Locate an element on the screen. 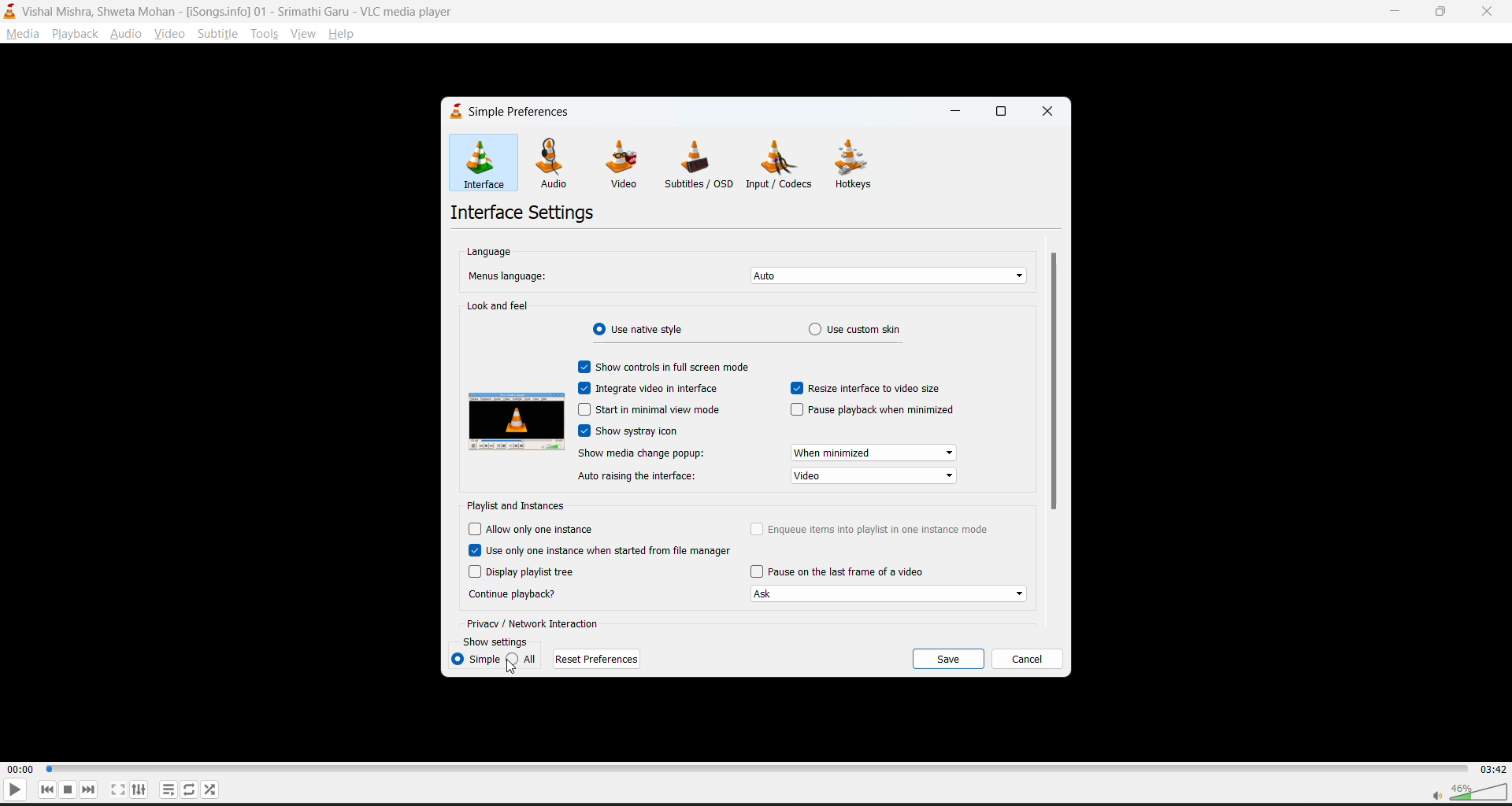 Image resolution: width=1512 pixels, height=806 pixels. view is located at coordinates (306, 37).